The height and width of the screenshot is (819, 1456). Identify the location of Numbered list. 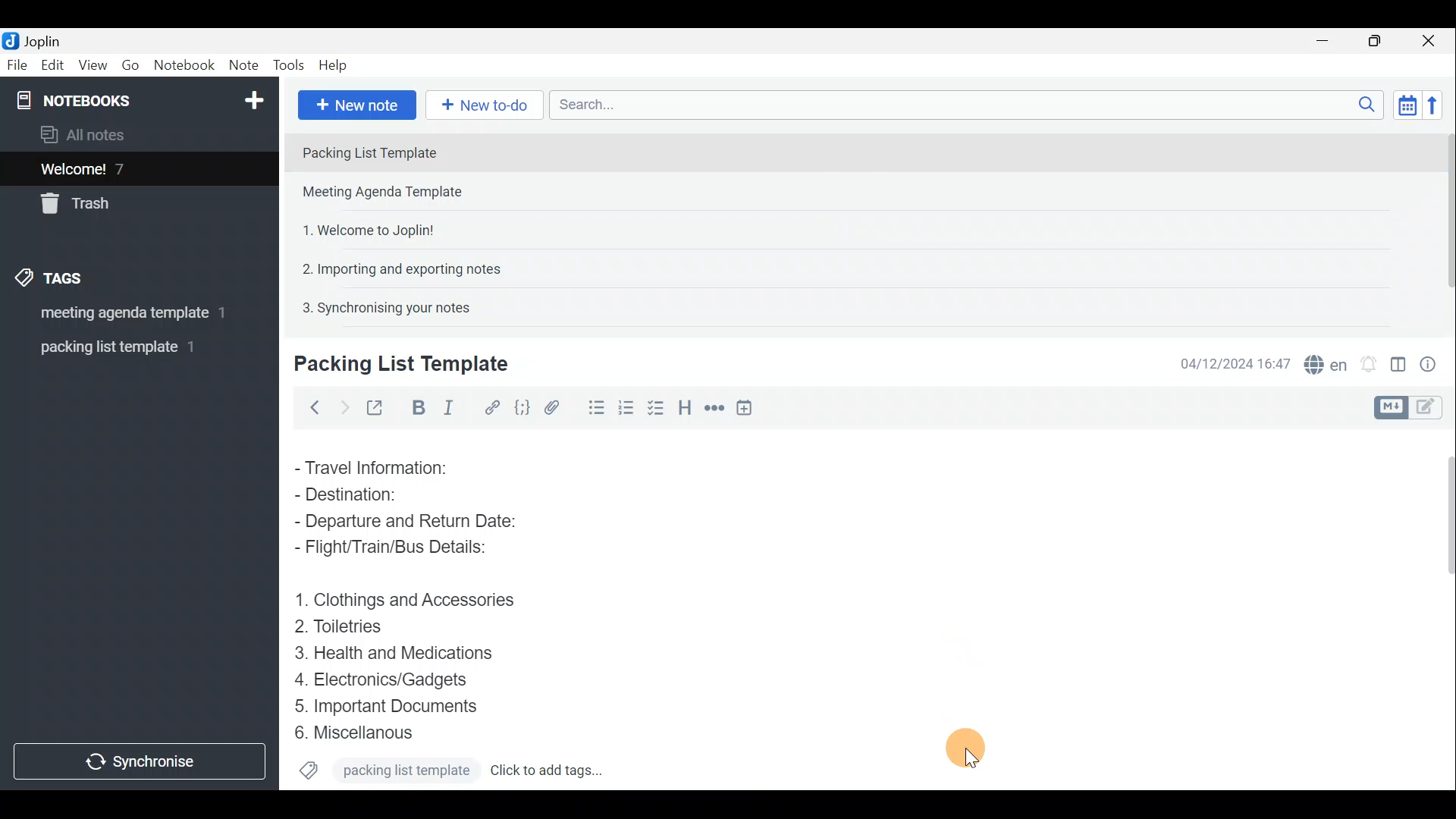
(657, 407).